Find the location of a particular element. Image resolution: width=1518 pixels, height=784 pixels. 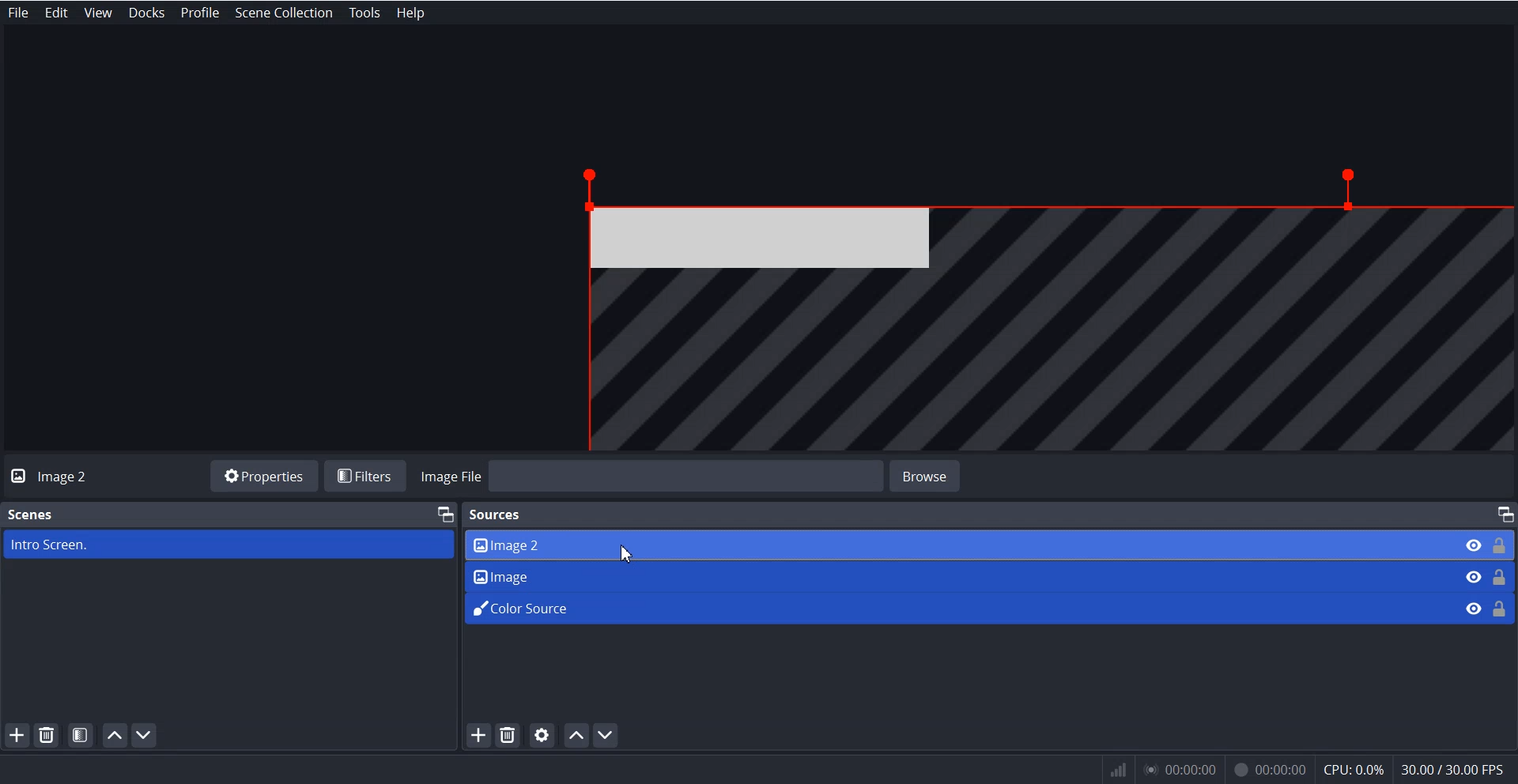

cpu is located at coordinates (1353, 767).